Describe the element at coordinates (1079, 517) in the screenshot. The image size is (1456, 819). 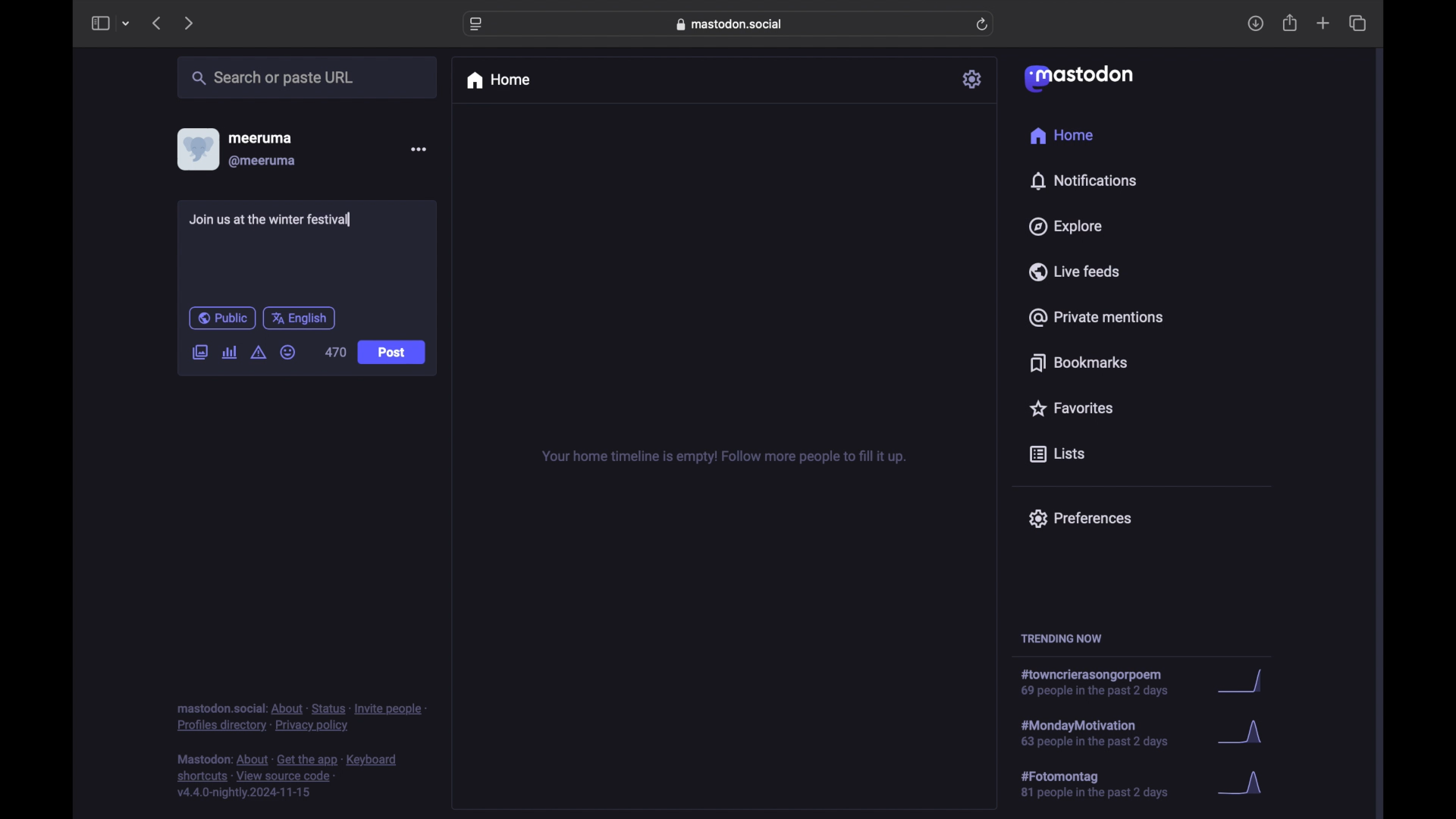
I see `preferences` at that location.